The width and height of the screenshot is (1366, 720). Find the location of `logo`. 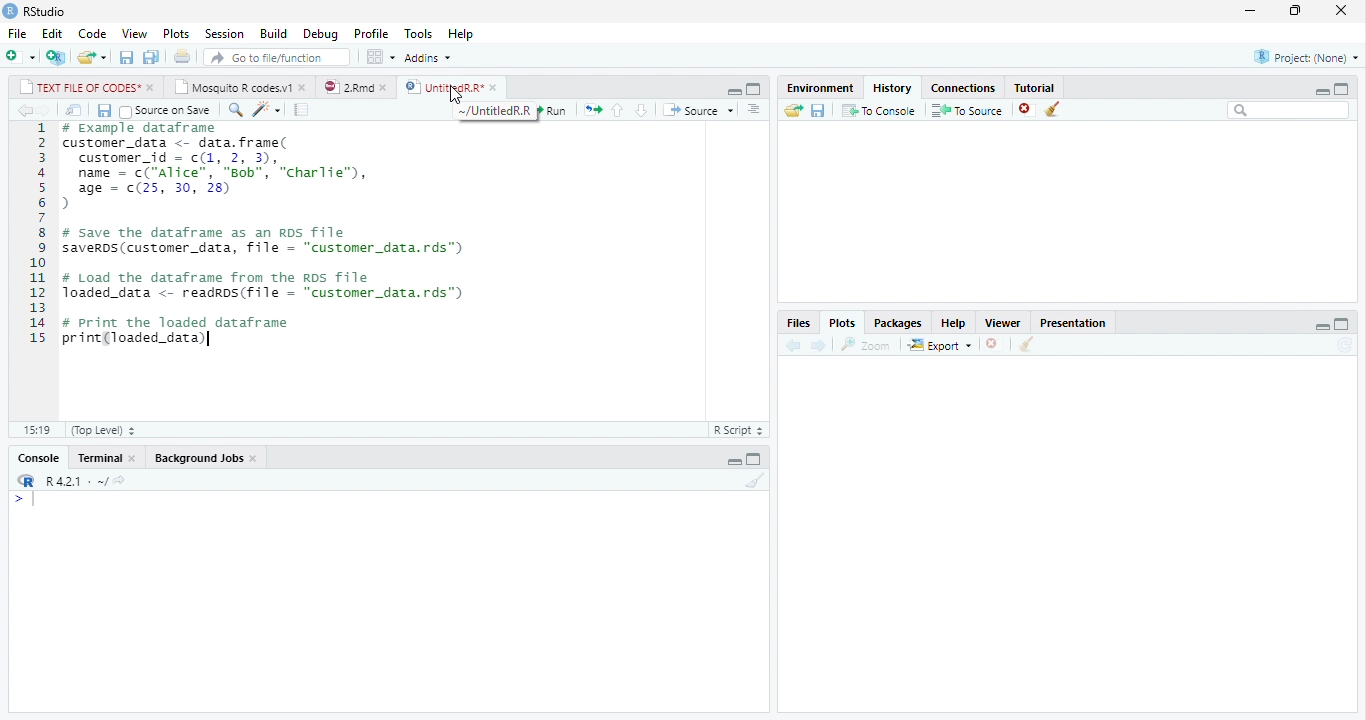

logo is located at coordinates (9, 11).